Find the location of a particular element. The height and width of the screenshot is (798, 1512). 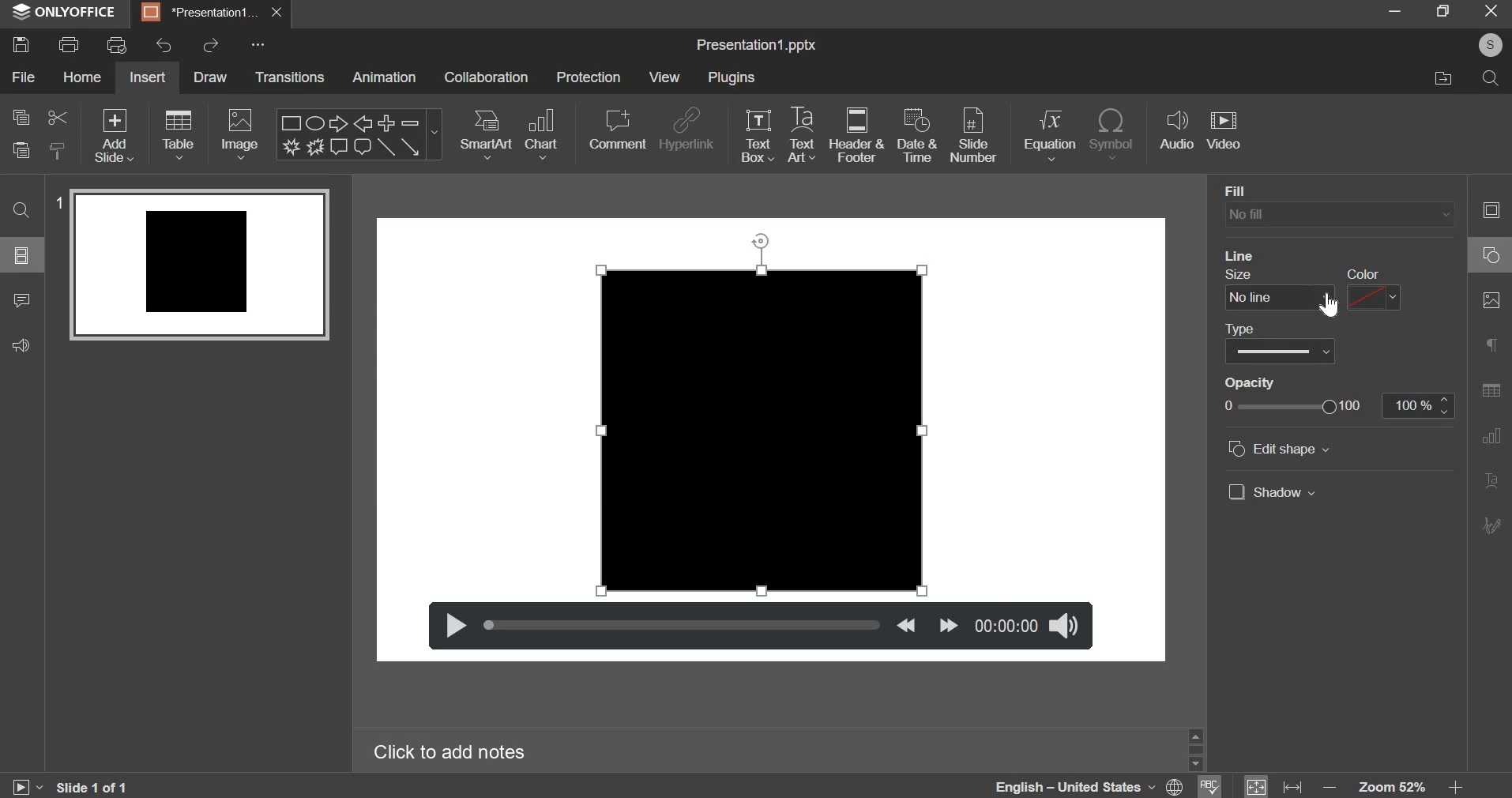

cut is located at coordinates (57, 118).